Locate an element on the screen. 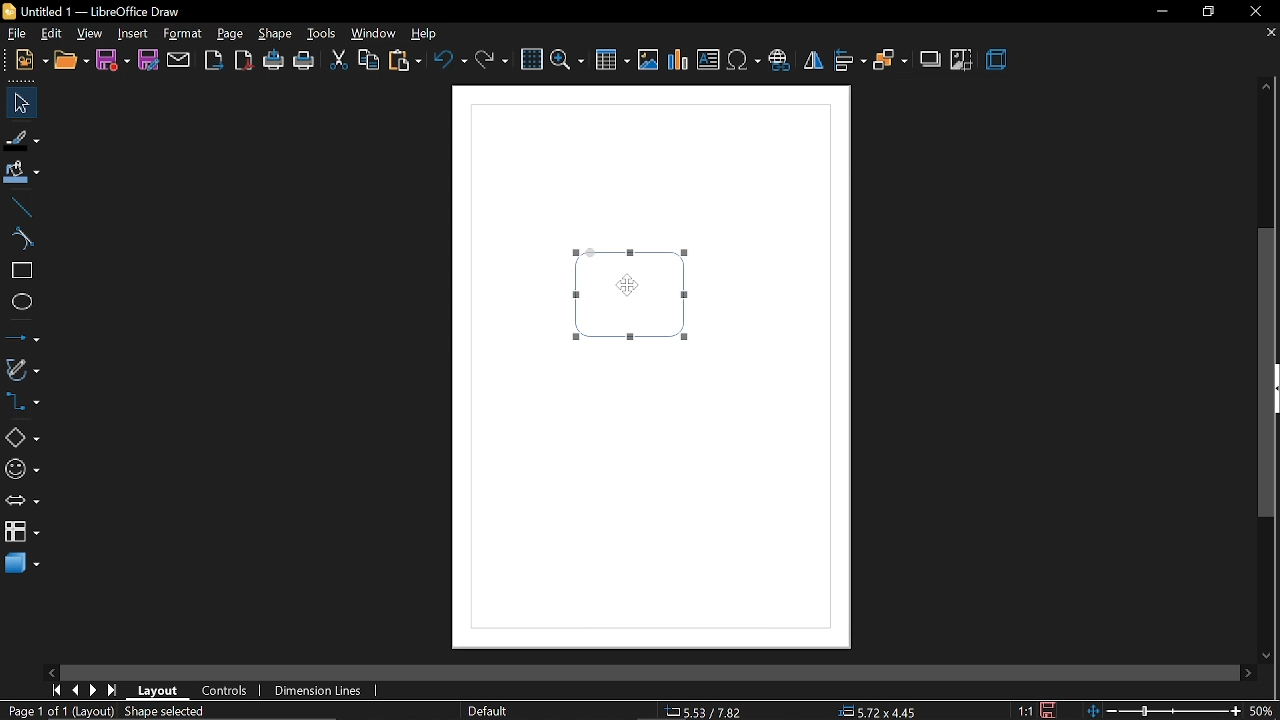 Image resolution: width=1280 pixels, height=720 pixels. move is located at coordinates (20, 103).